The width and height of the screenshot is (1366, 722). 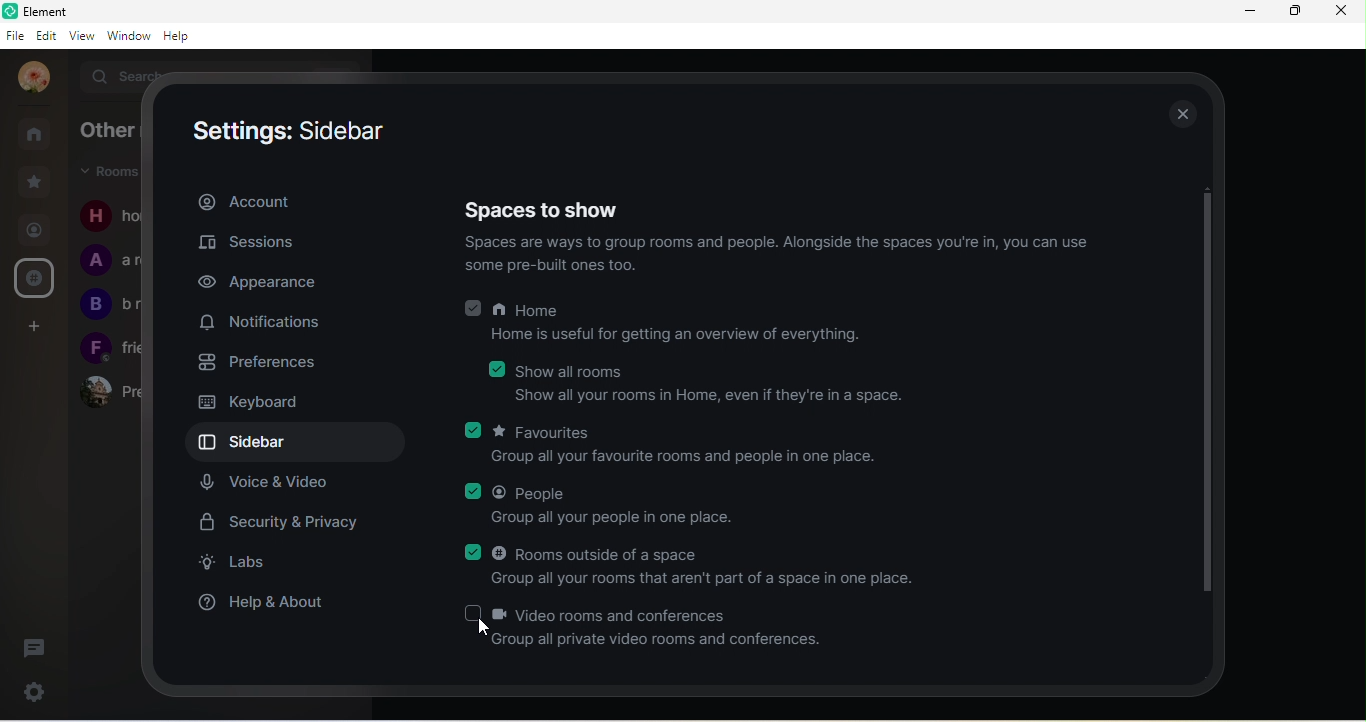 I want to click on text, so click(x=109, y=267).